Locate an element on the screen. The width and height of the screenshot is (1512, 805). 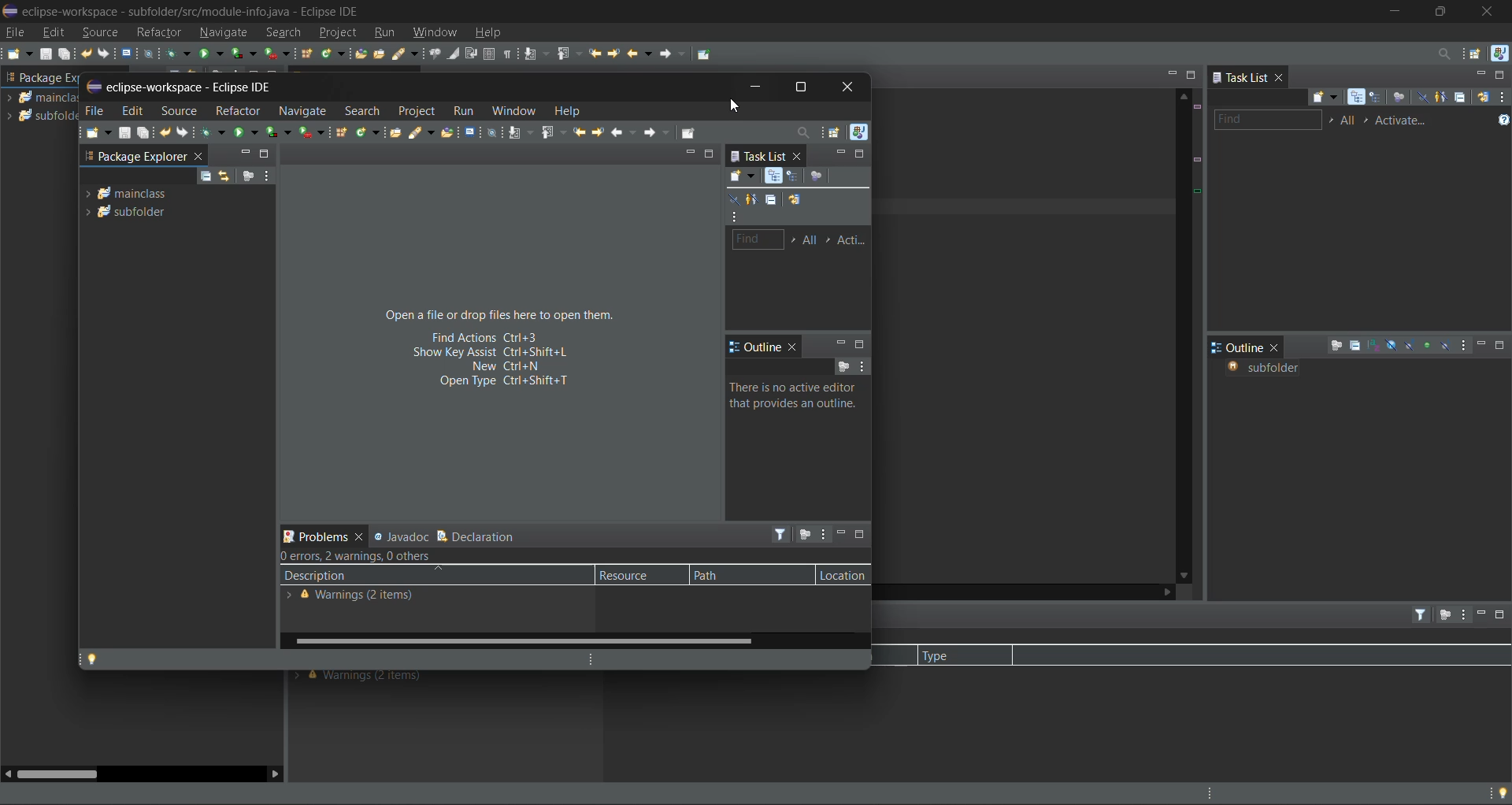
run last tool is located at coordinates (313, 134).